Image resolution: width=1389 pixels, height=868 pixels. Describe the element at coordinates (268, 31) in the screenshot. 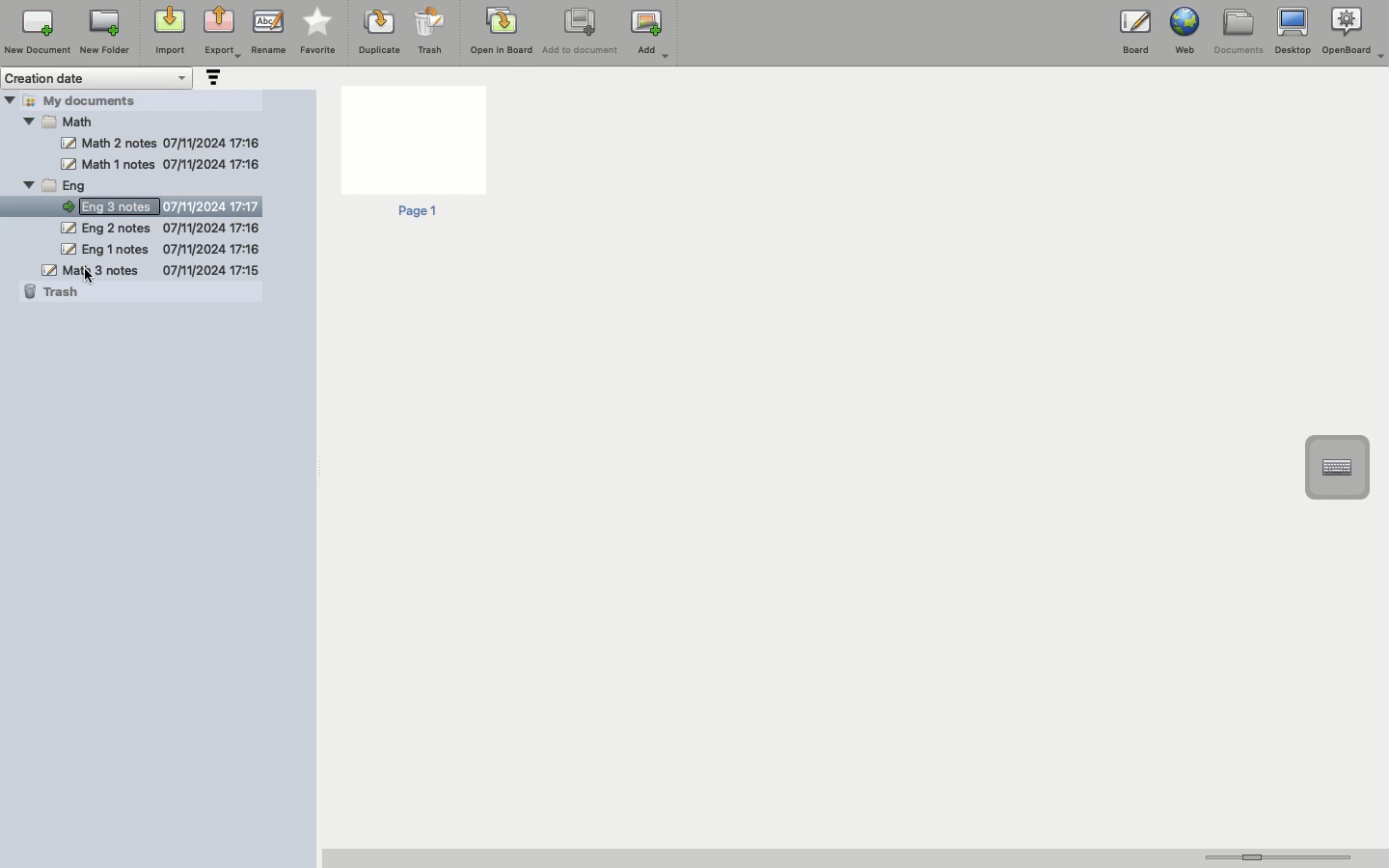

I see `Rename` at that location.